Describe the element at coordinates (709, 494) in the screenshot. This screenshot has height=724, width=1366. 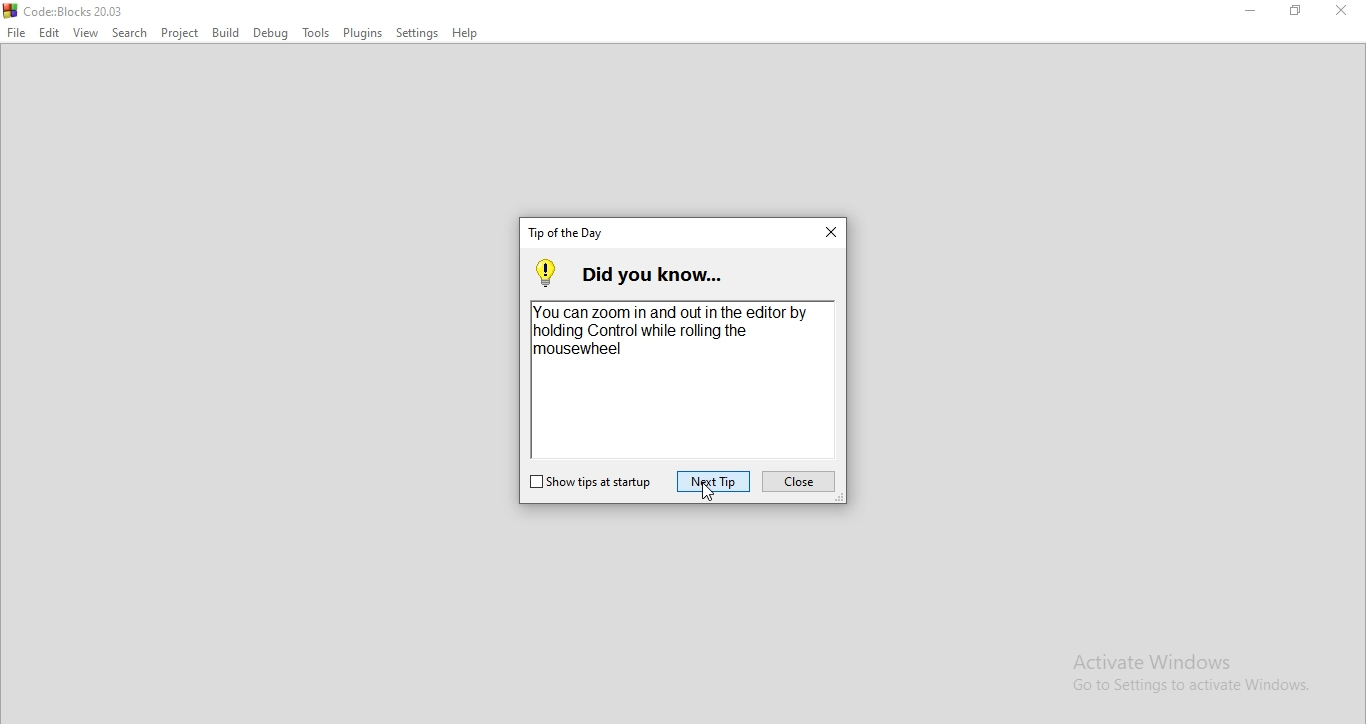
I see `cursor on Next Tip` at that location.